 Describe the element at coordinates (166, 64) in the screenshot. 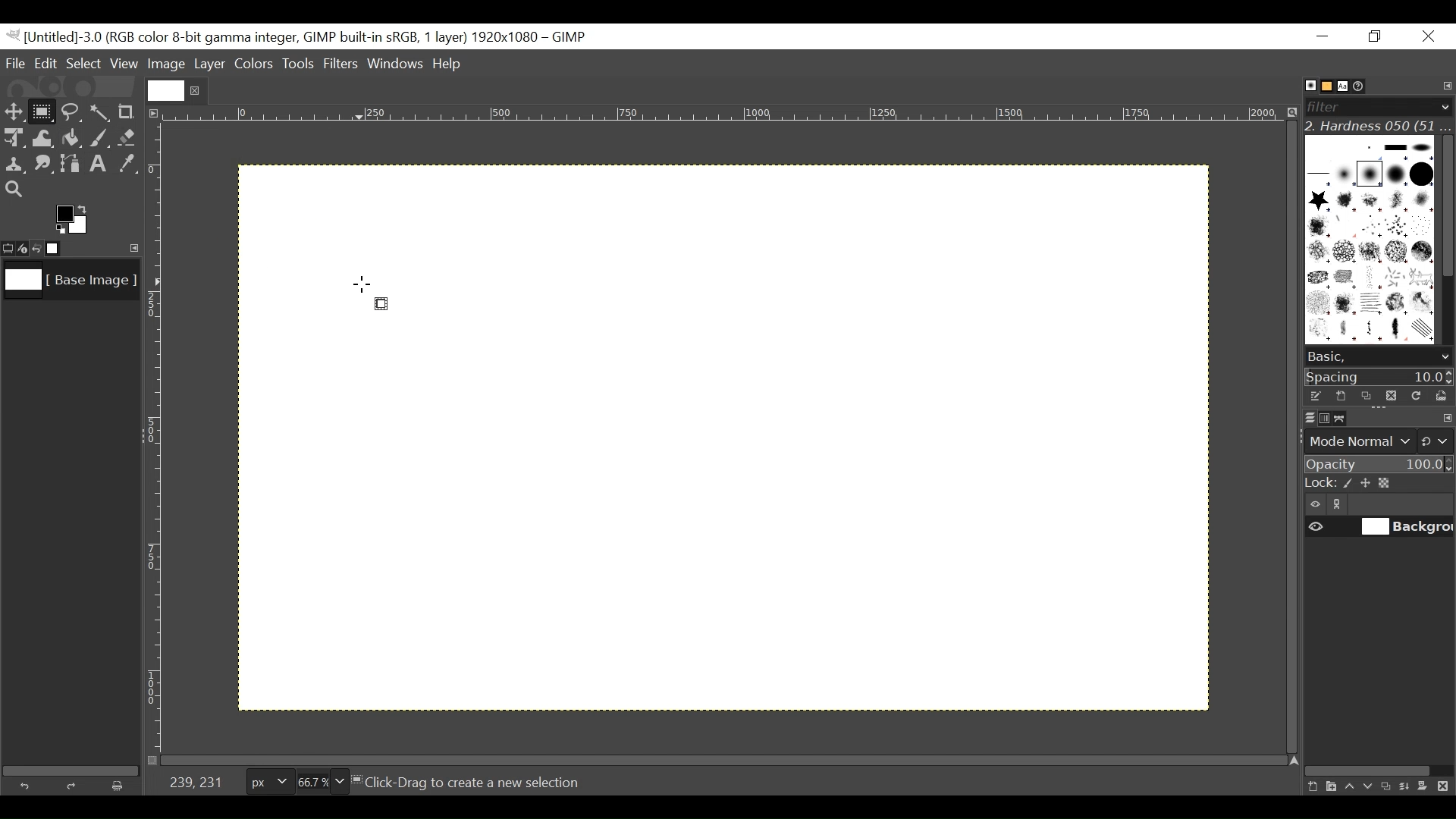

I see `Image` at that location.